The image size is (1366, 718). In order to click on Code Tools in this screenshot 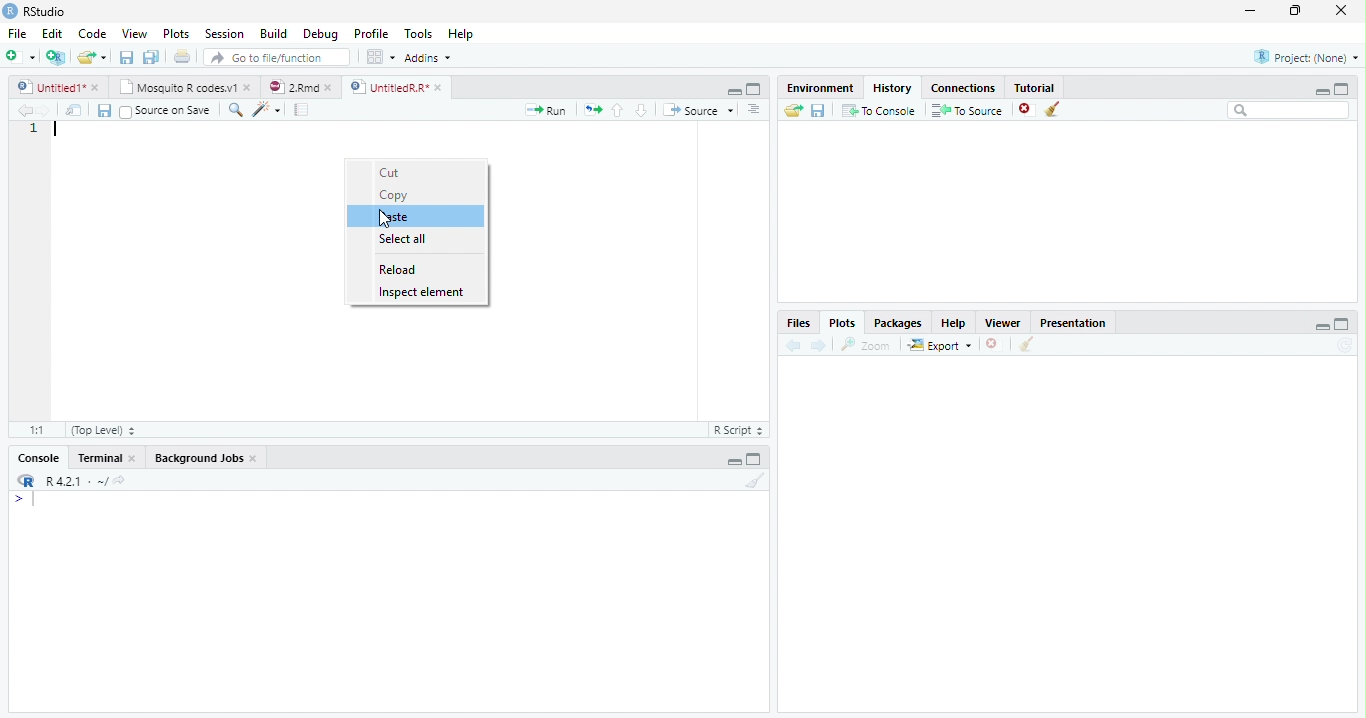, I will do `click(263, 109)`.